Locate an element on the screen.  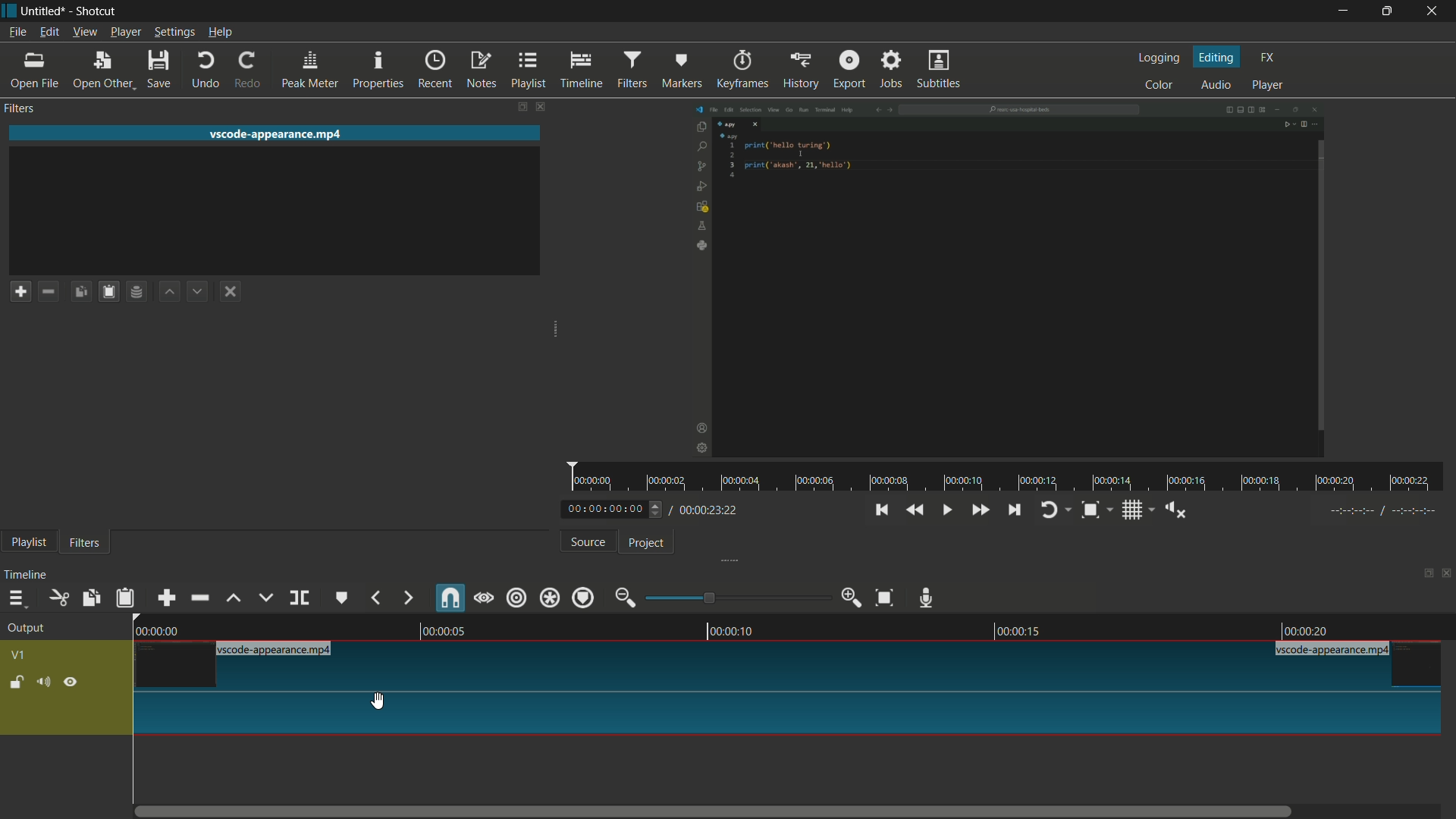
subtitles is located at coordinates (940, 69).